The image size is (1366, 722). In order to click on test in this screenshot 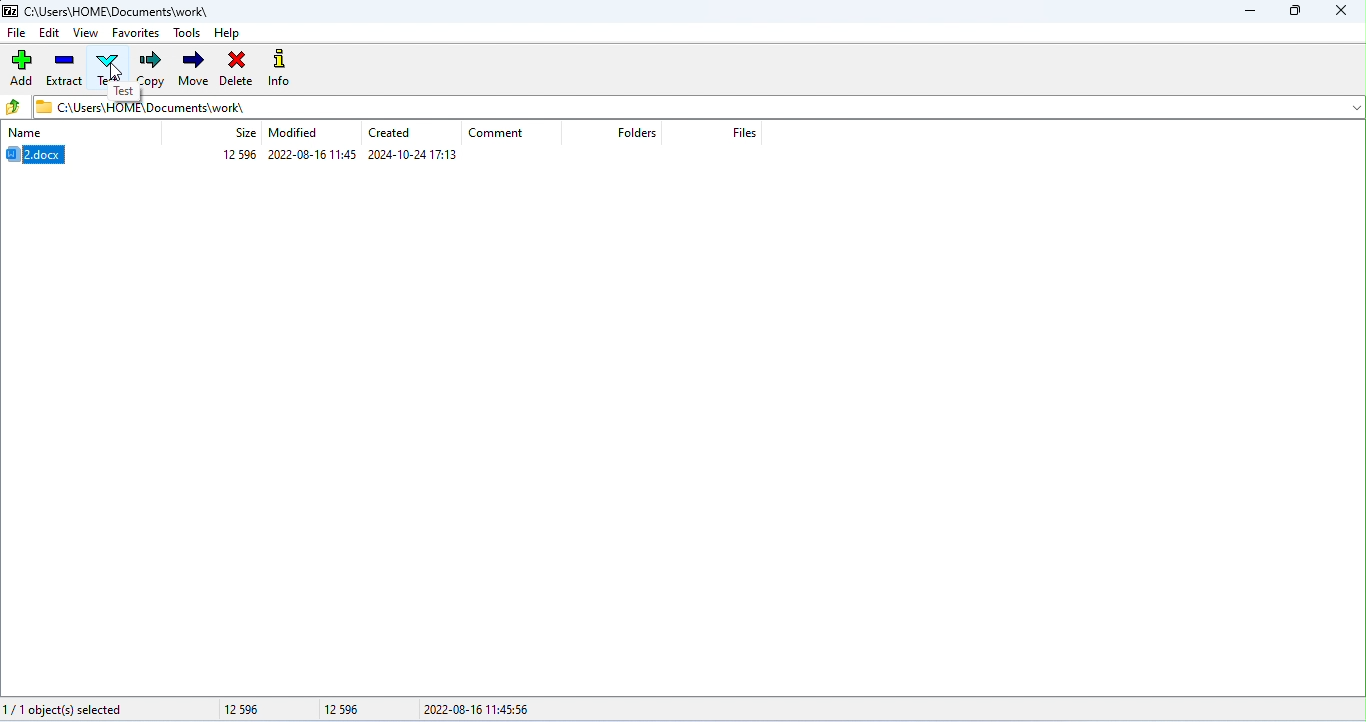, I will do `click(125, 91)`.